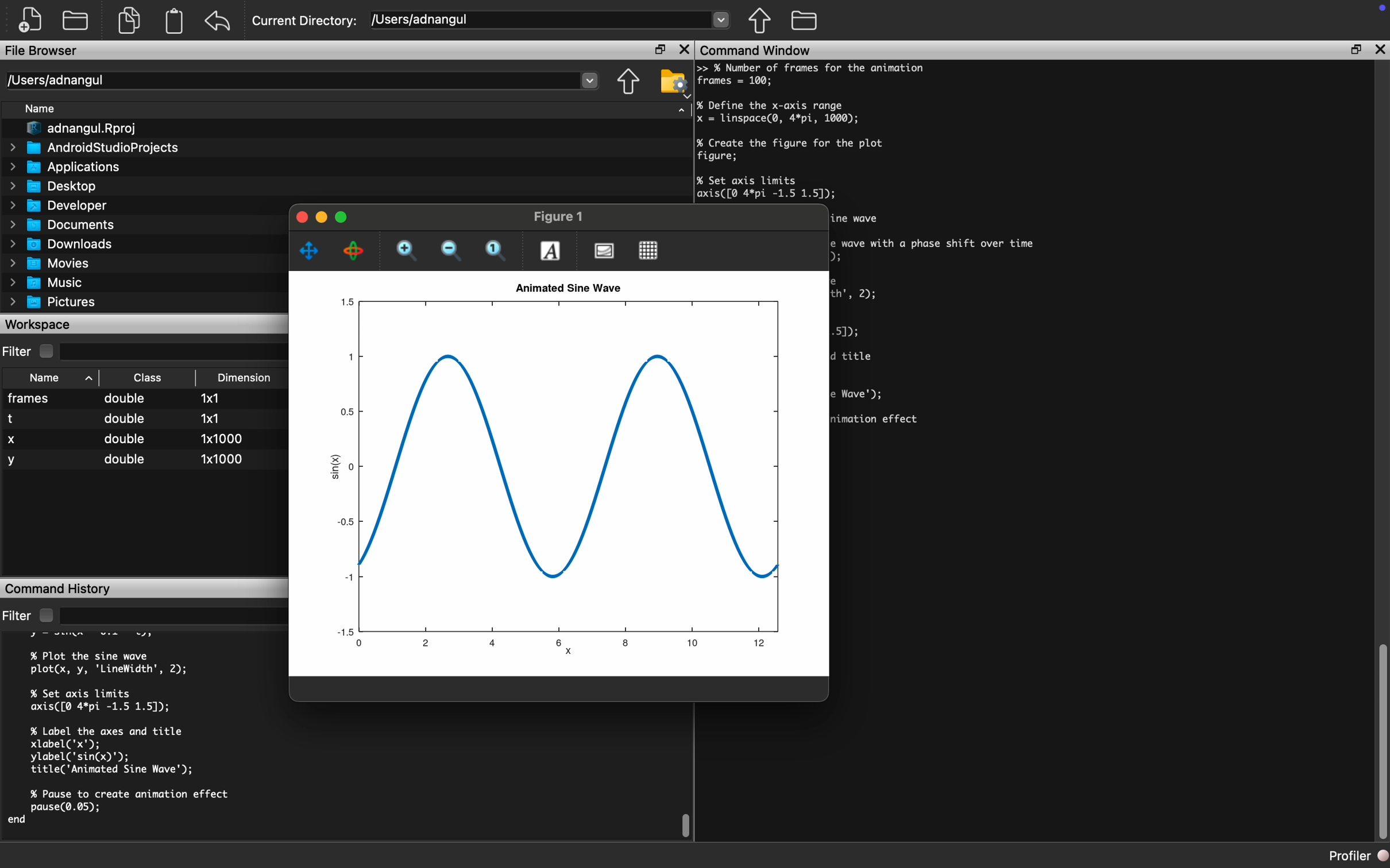  I want to click on File Browser, so click(43, 52).